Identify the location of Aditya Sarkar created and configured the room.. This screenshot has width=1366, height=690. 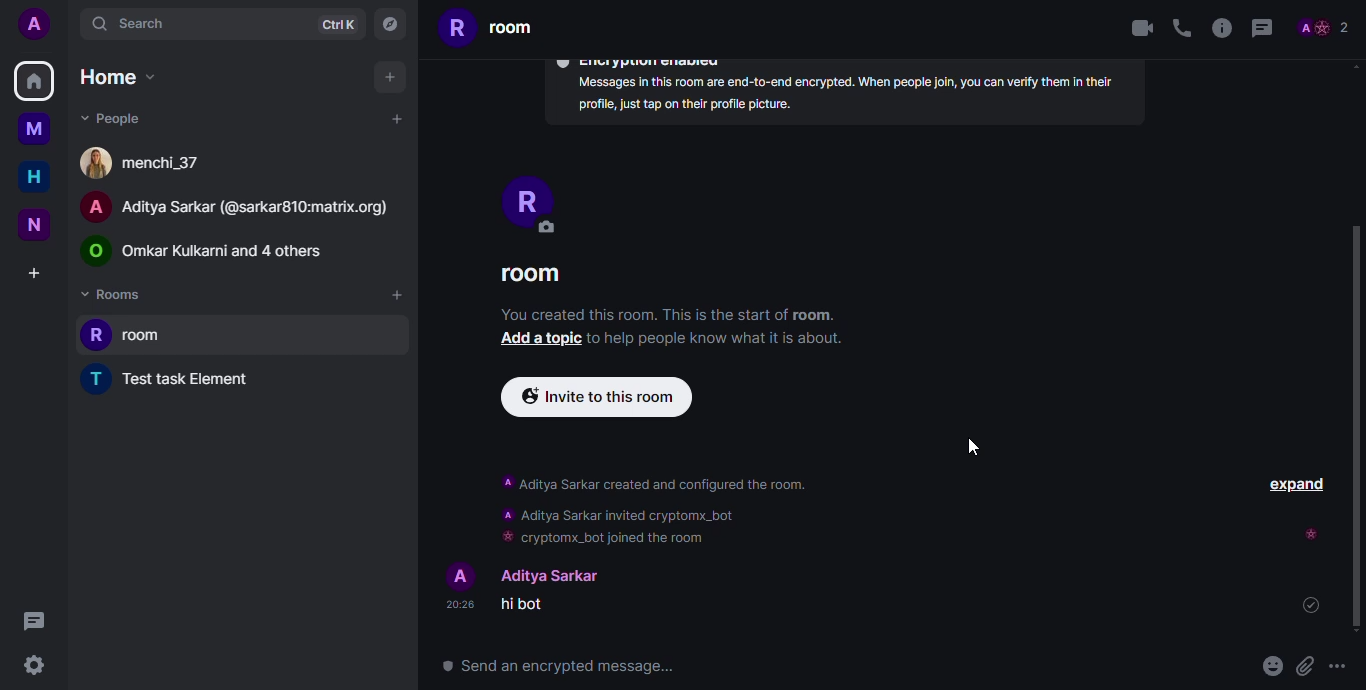
(665, 484).